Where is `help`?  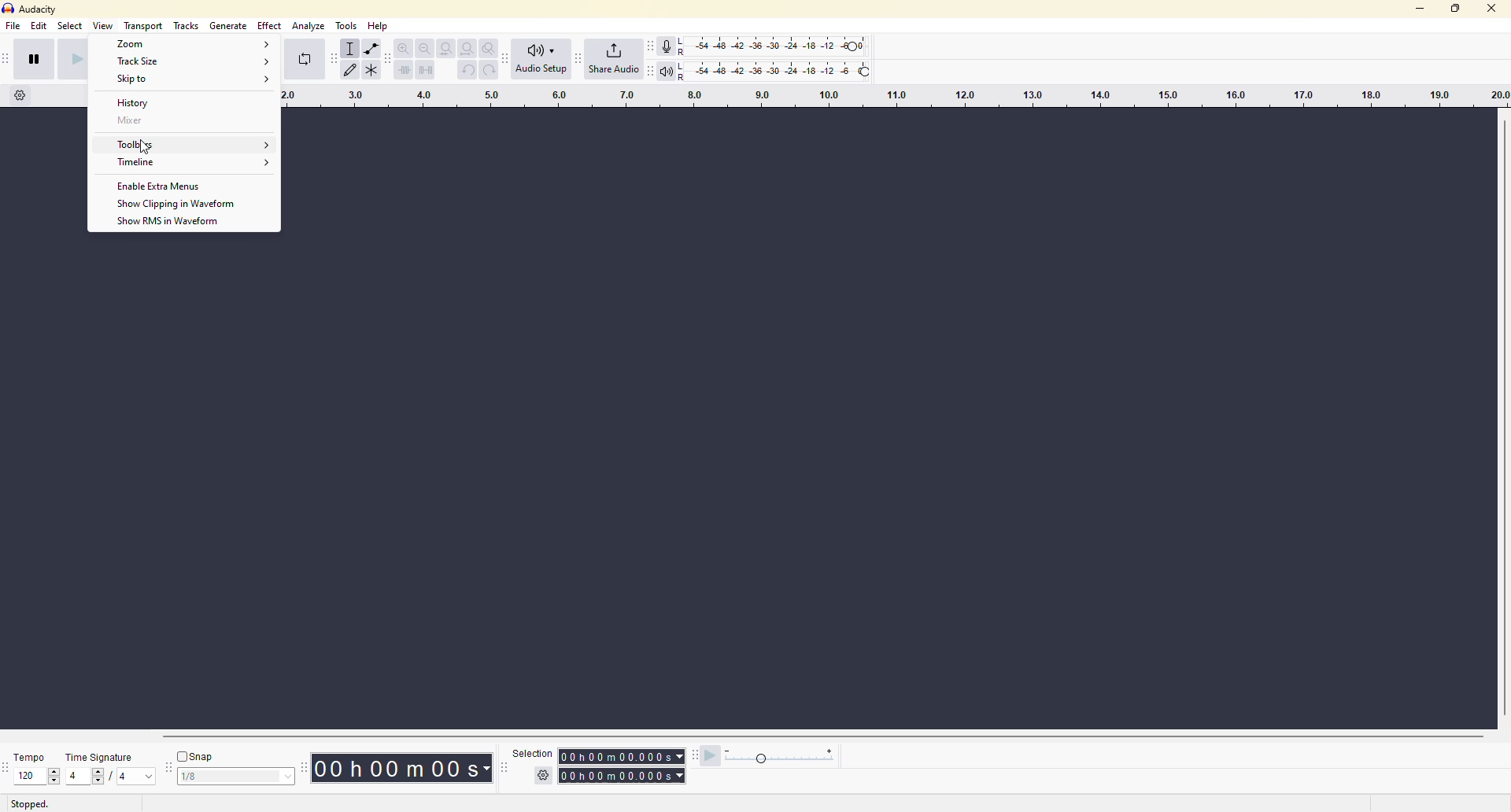
help is located at coordinates (379, 26).